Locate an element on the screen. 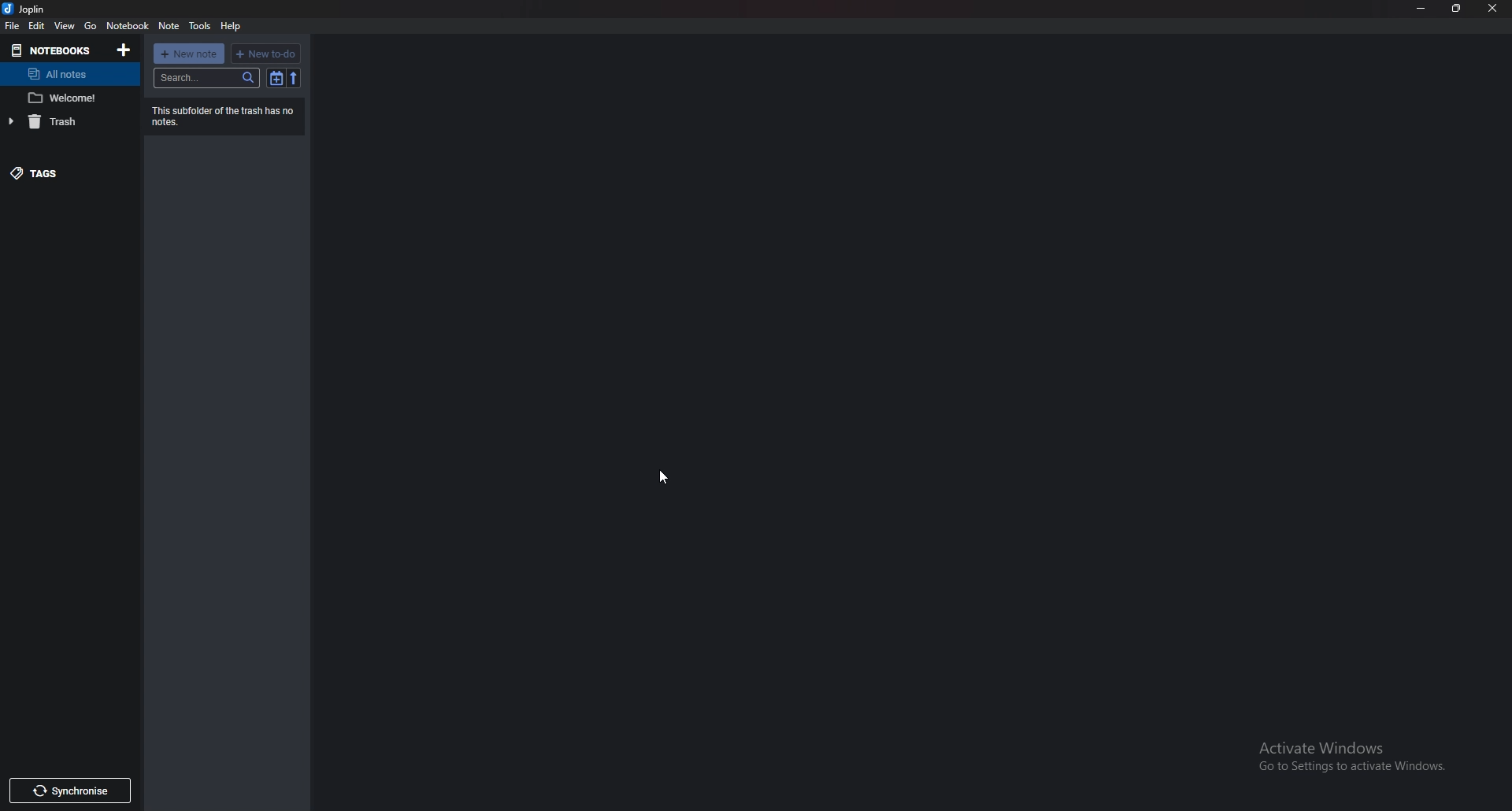 The height and width of the screenshot is (811, 1512). Minimize is located at coordinates (1422, 8).